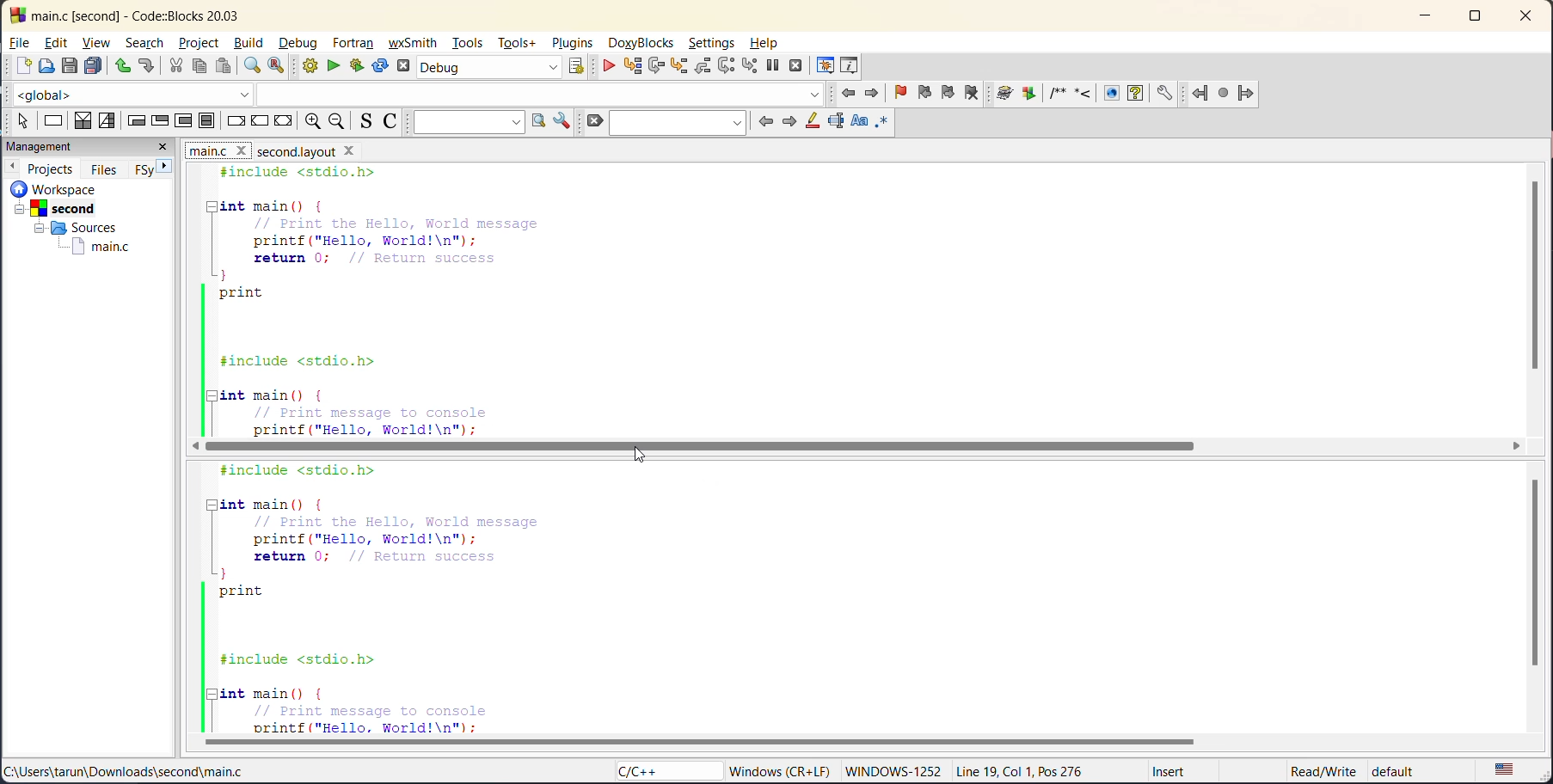 The width and height of the screenshot is (1553, 784). What do you see at coordinates (159, 122) in the screenshot?
I see `exit condition loop` at bounding box center [159, 122].